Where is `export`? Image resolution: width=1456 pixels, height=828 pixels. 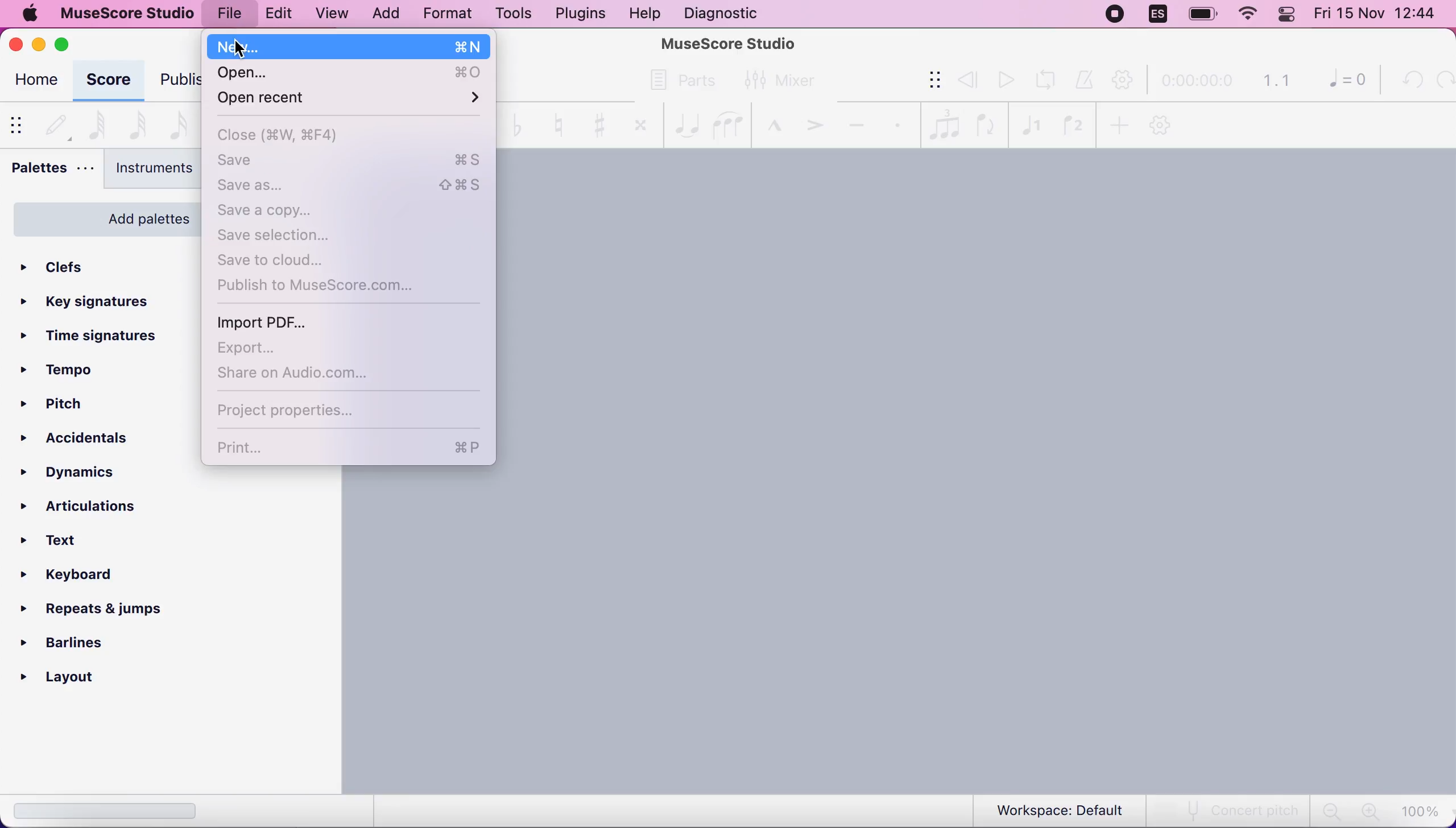 export is located at coordinates (270, 348).